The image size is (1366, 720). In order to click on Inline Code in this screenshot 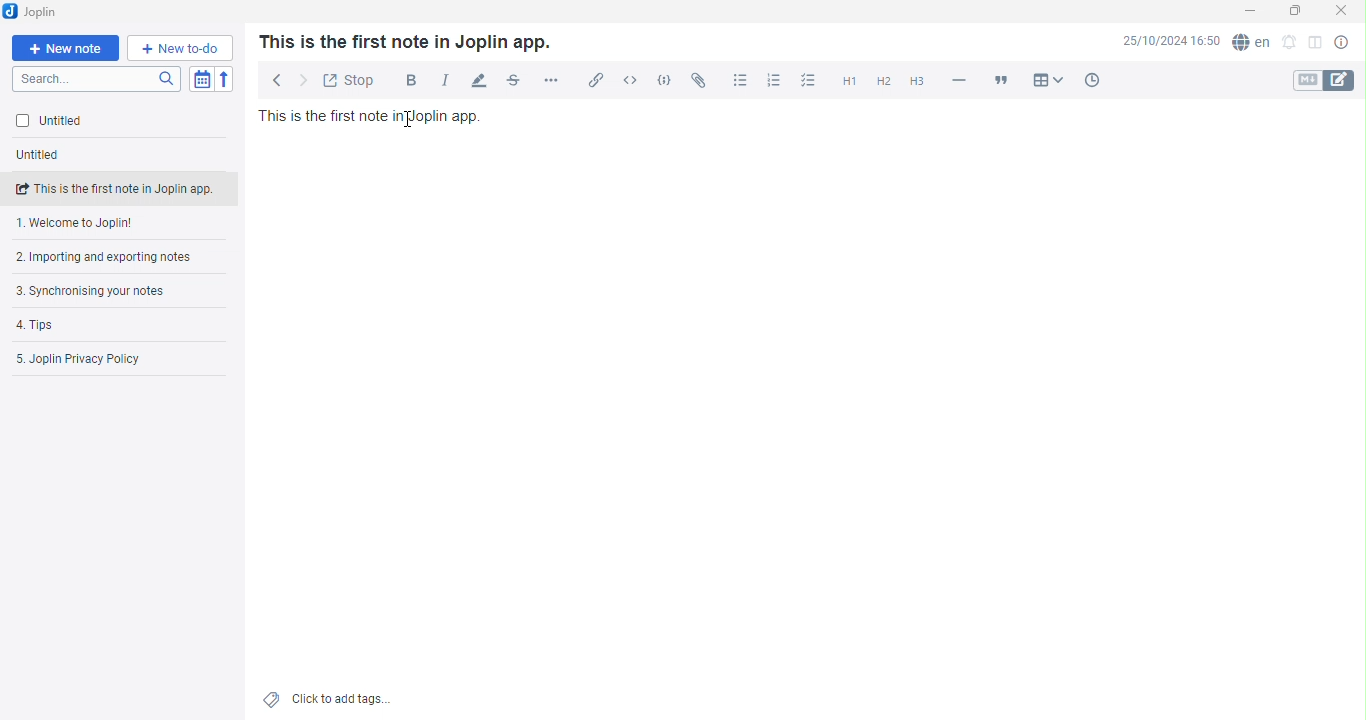, I will do `click(628, 80)`.